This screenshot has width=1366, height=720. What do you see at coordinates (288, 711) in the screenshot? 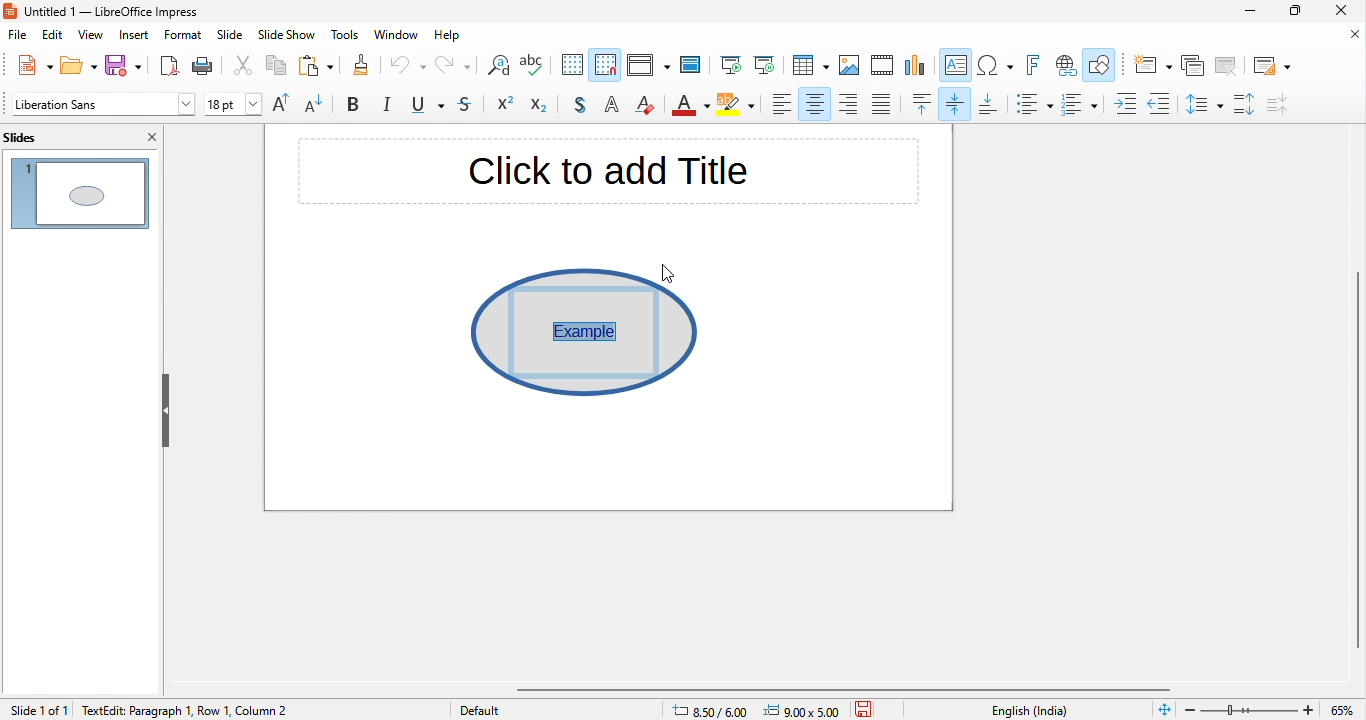
I see `2` at bounding box center [288, 711].